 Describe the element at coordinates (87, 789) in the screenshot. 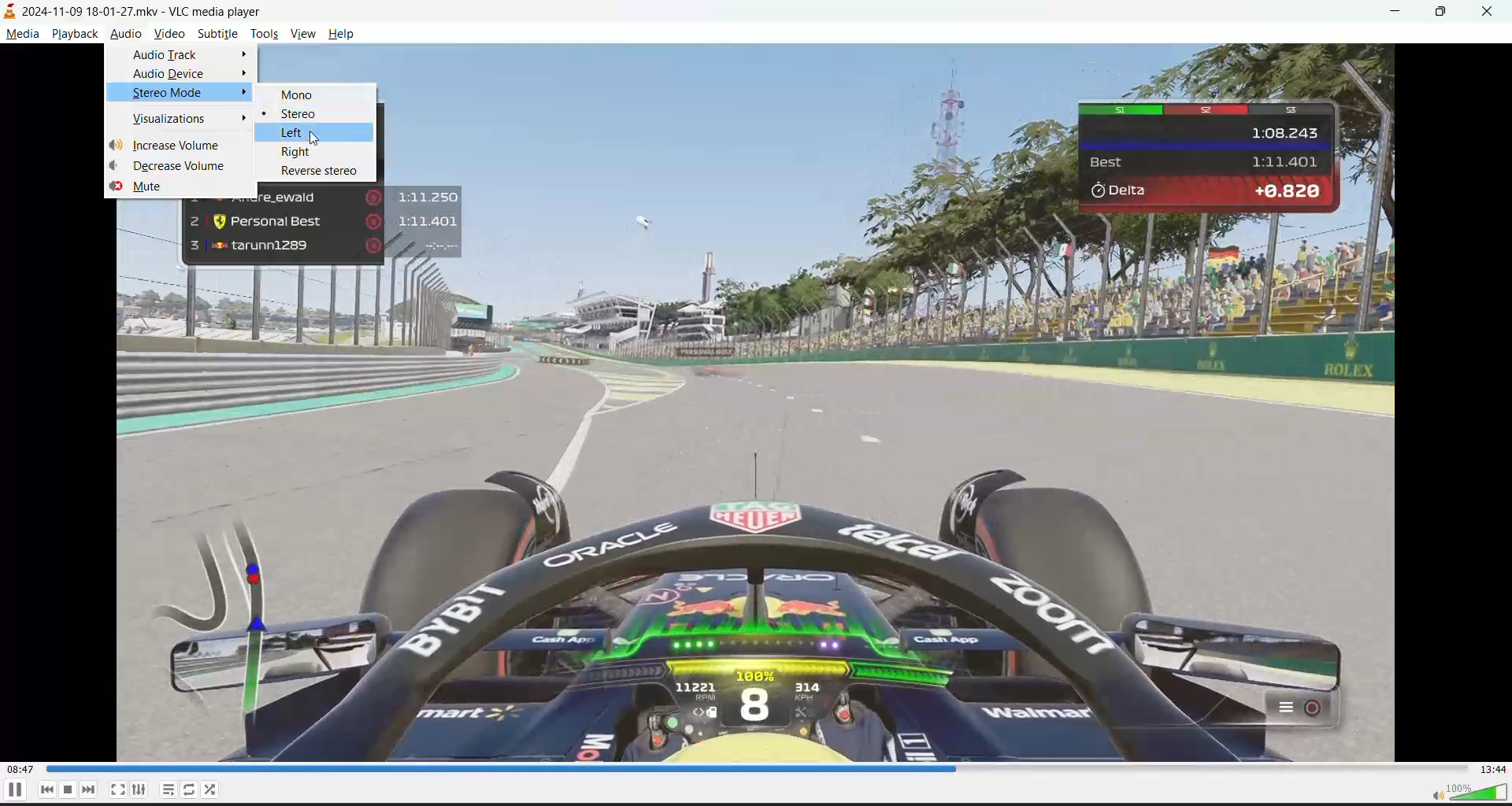

I see `next` at that location.